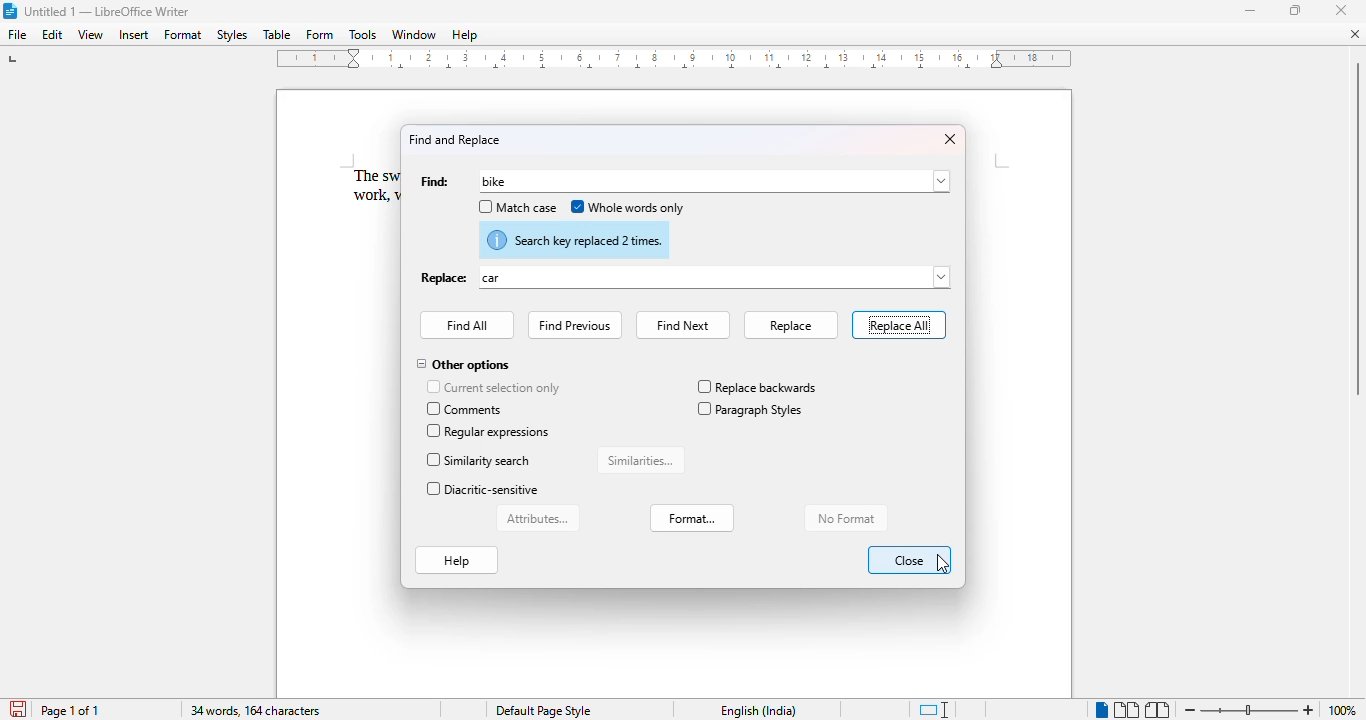  Describe the element at coordinates (90, 34) in the screenshot. I see `view` at that location.